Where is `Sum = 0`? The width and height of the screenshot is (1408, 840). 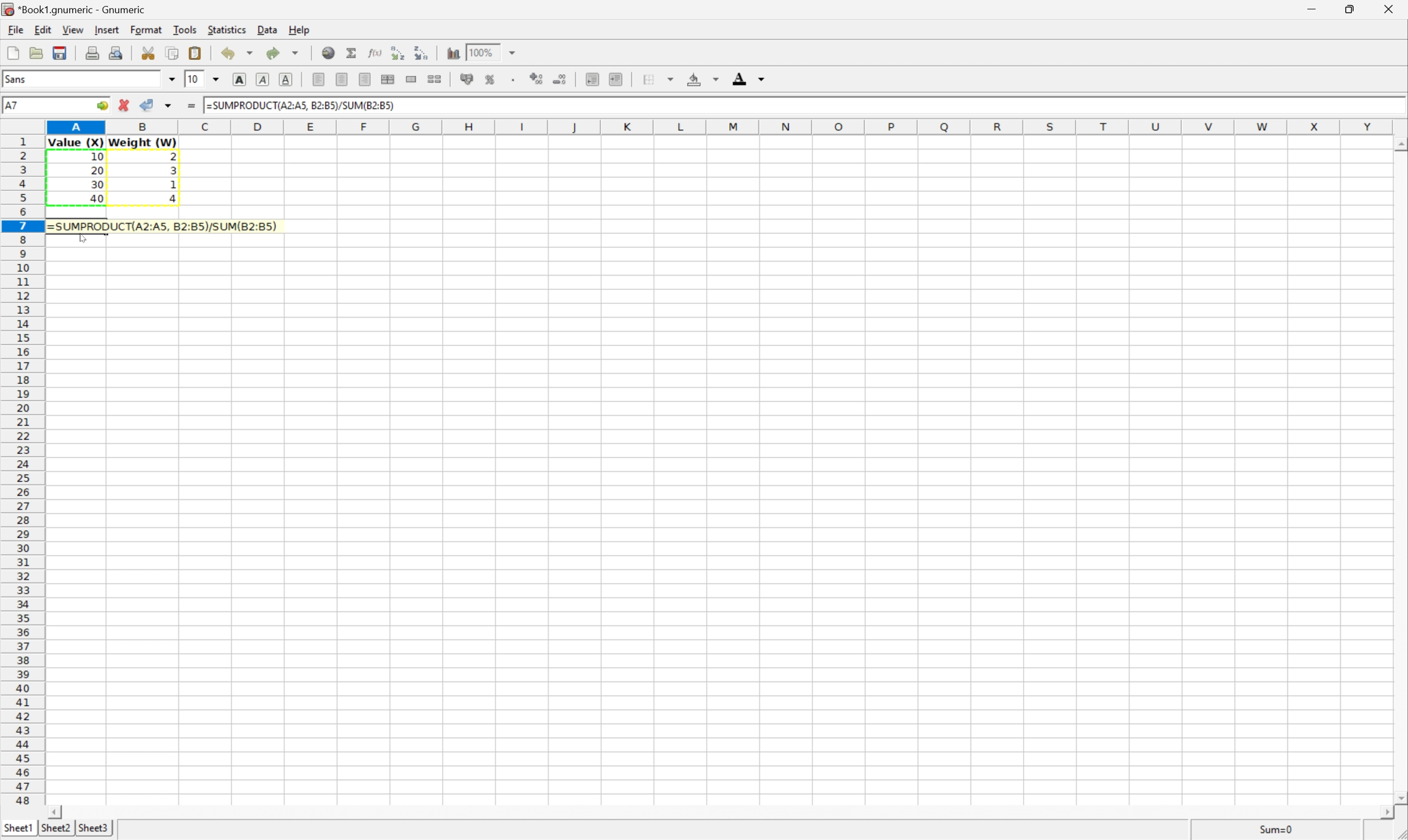
Sum = 0 is located at coordinates (1277, 828).